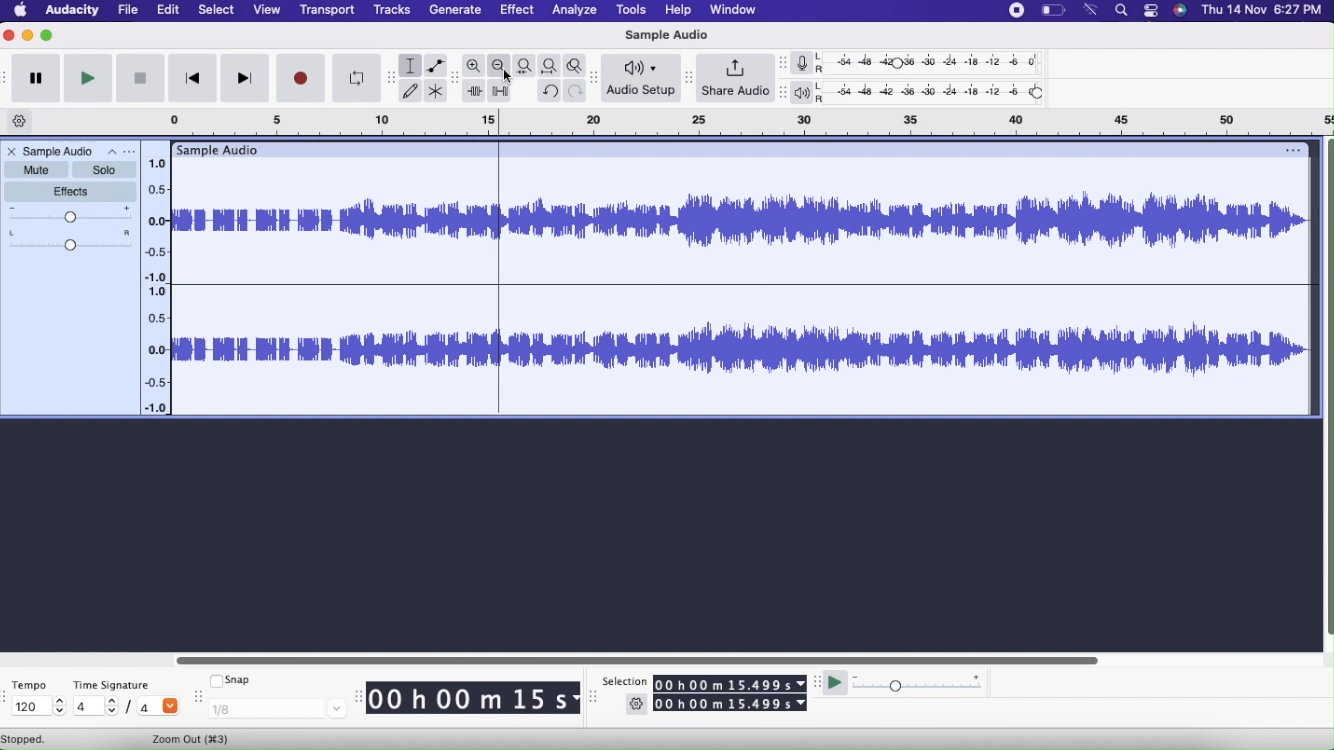  Describe the element at coordinates (37, 710) in the screenshot. I see `120` at that location.